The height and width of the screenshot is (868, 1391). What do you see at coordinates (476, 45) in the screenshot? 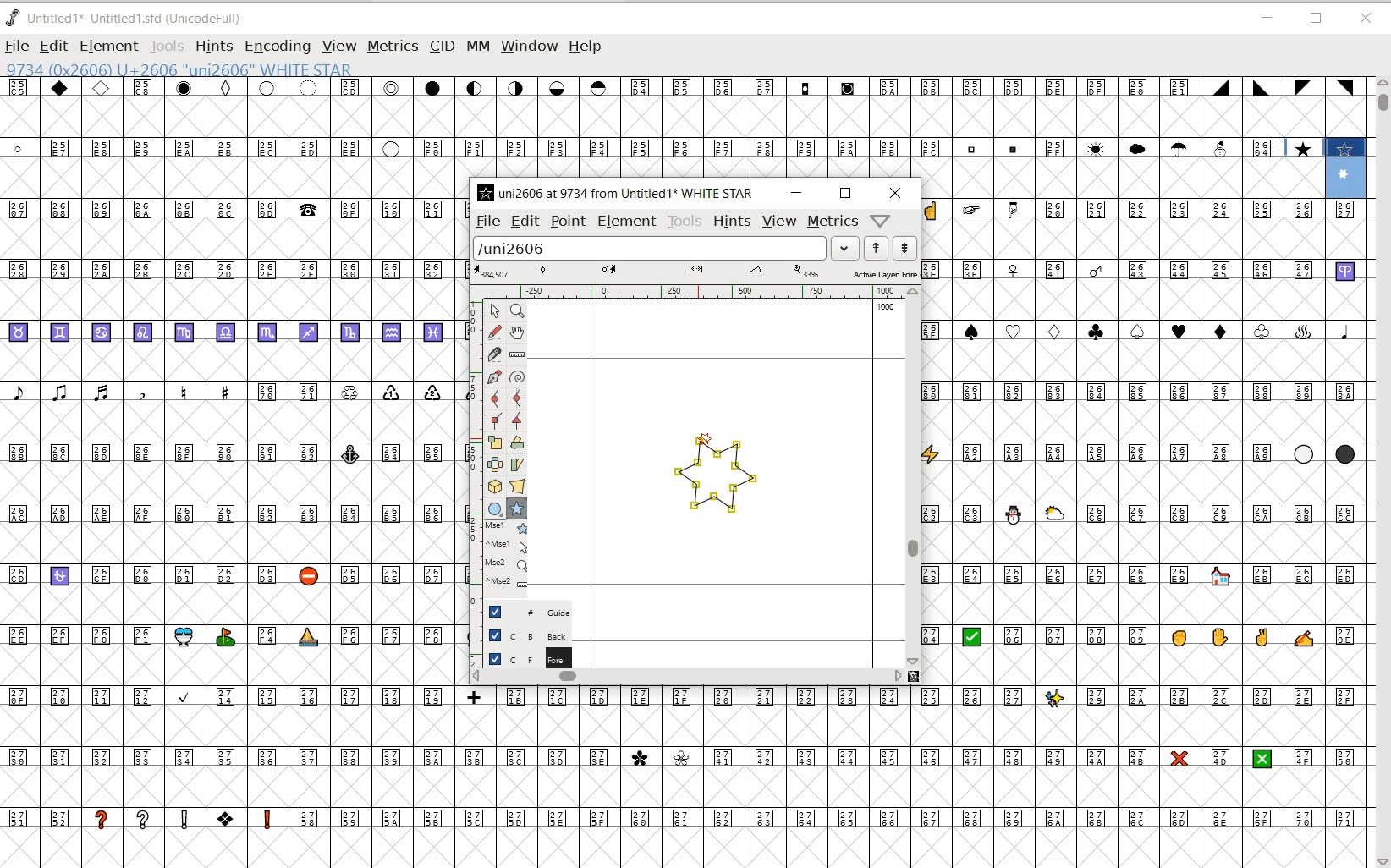
I see `MM` at bounding box center [476, 45].